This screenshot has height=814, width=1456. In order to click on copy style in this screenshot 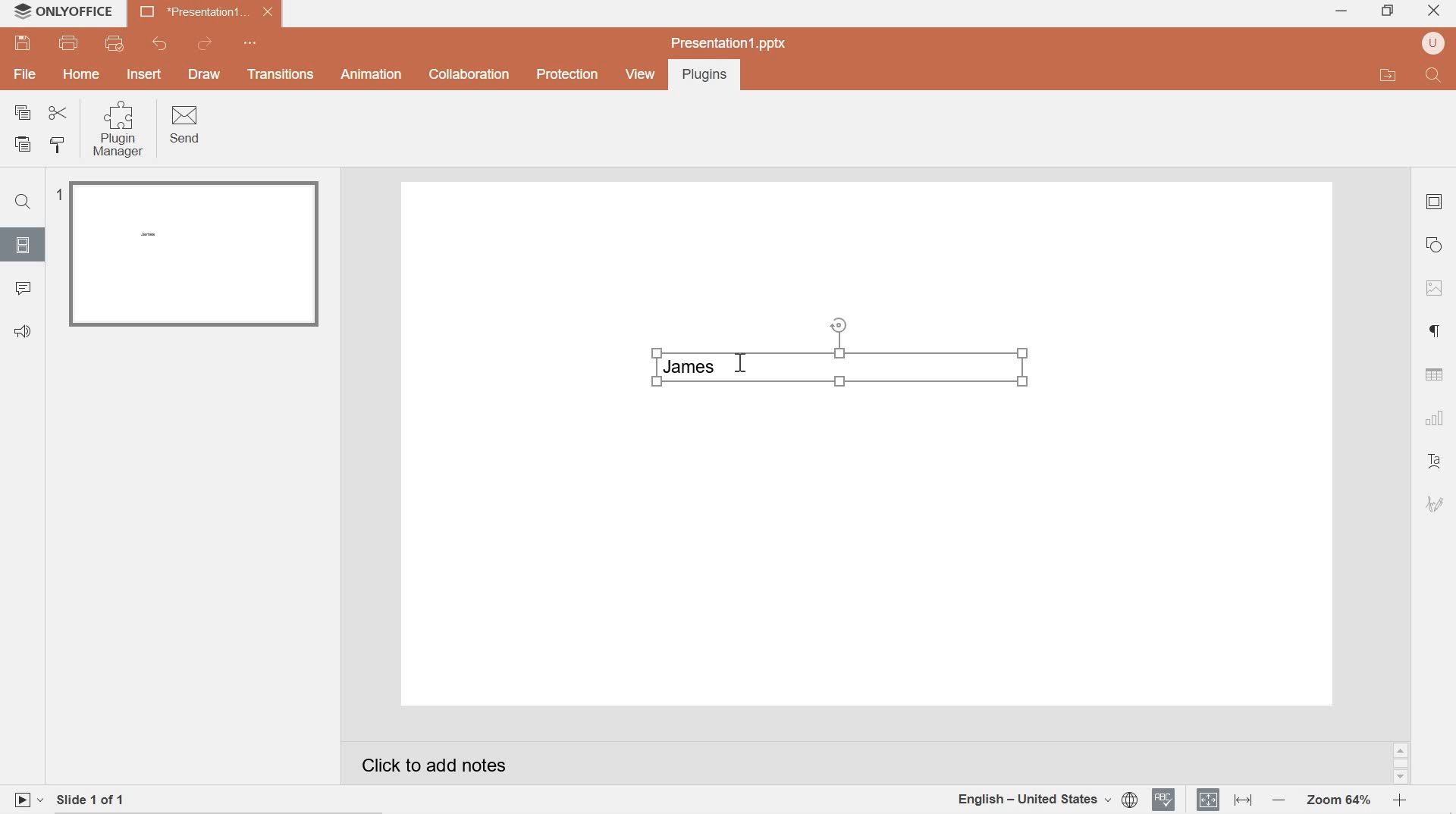, I will do `click(62, 146)`.